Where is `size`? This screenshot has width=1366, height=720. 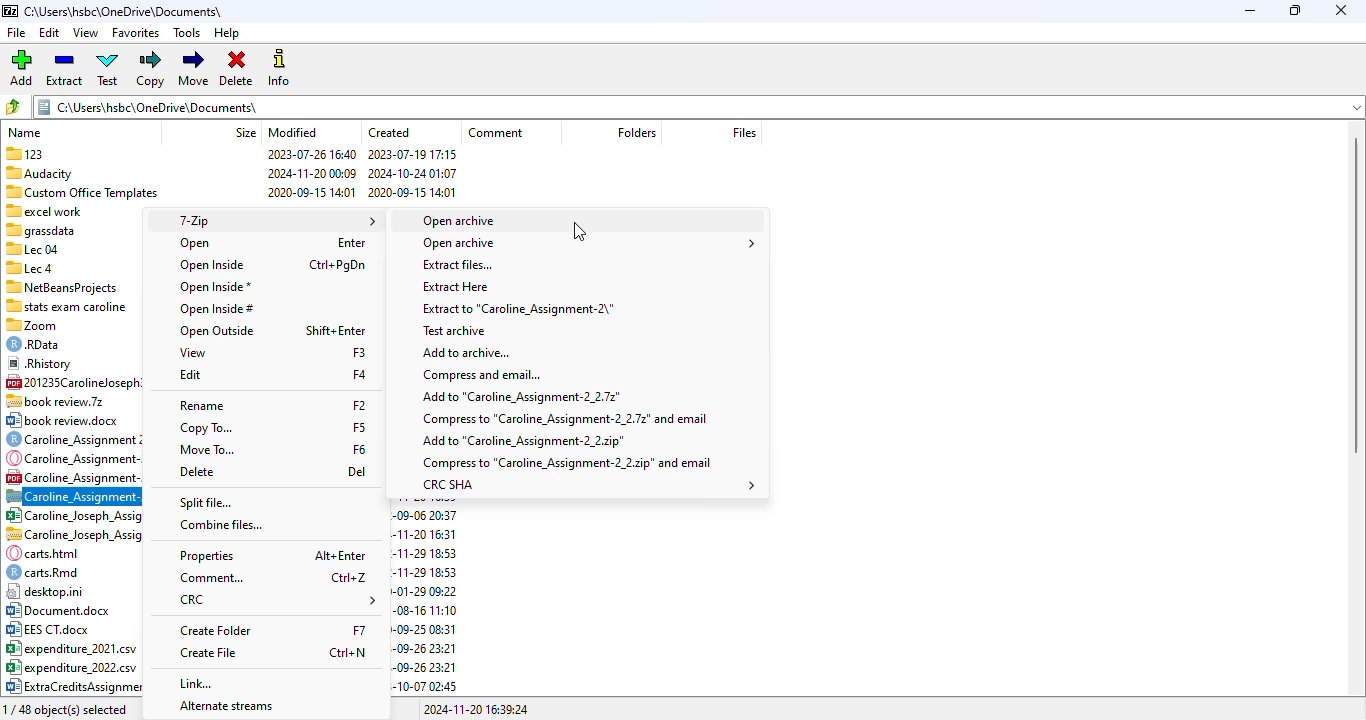 size is located at coordinates (243, 132).